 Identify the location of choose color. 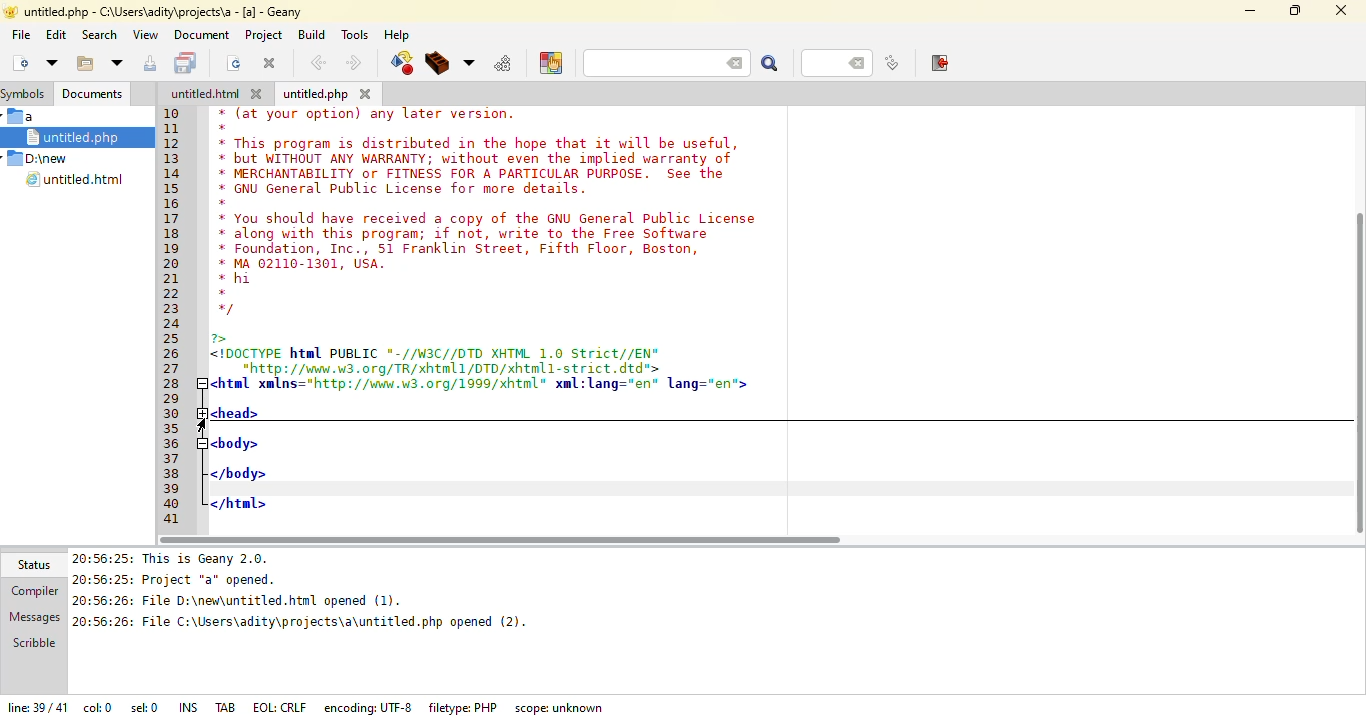
(550, 64).